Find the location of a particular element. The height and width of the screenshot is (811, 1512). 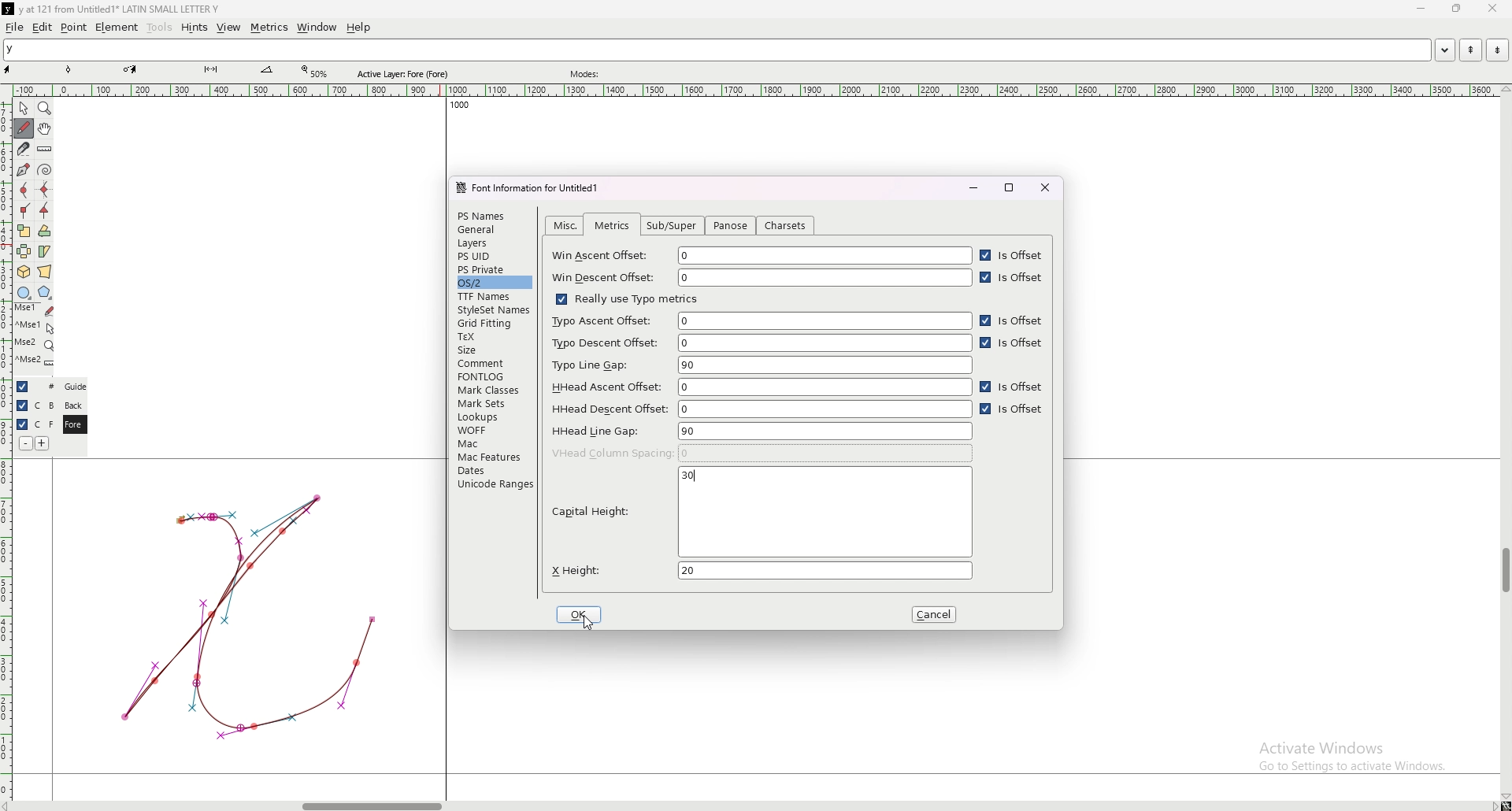

mark sets is located at coordinates (492, 403).